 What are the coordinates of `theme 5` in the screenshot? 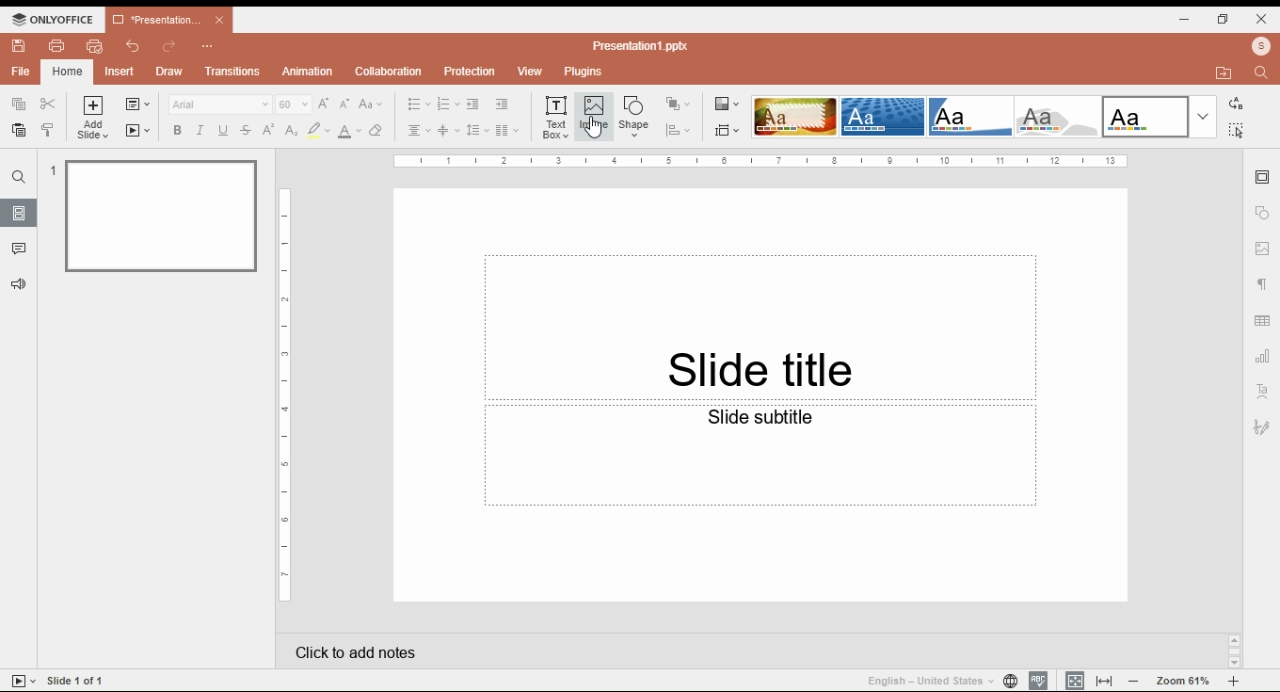 It's located at (1145, 117).